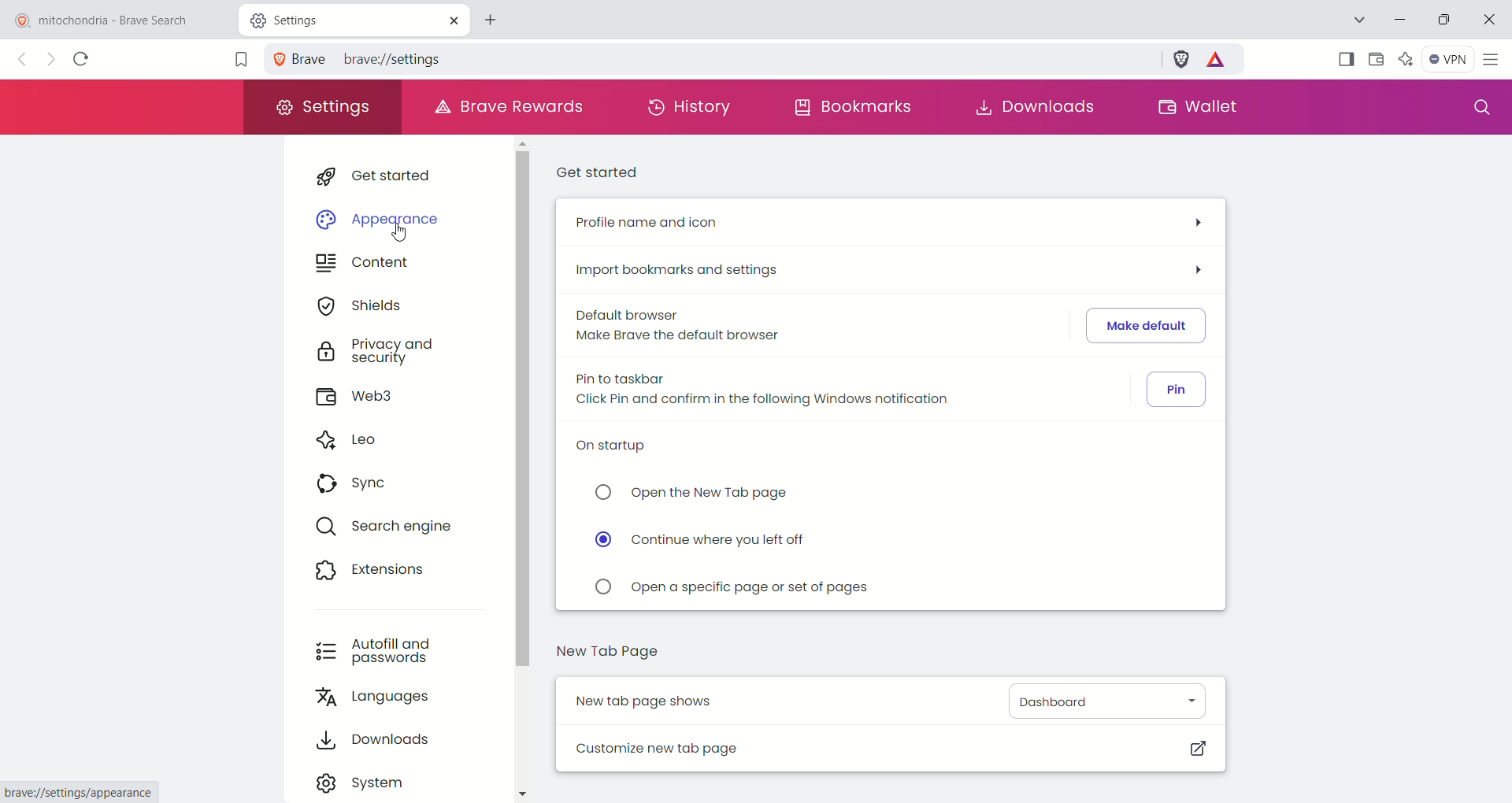 The height and width of the screenshot is (803, 1512). What do you see at coordinates (1478, 108) in the screenshot?
I see `search settings` at bounding box center [1478, 108].